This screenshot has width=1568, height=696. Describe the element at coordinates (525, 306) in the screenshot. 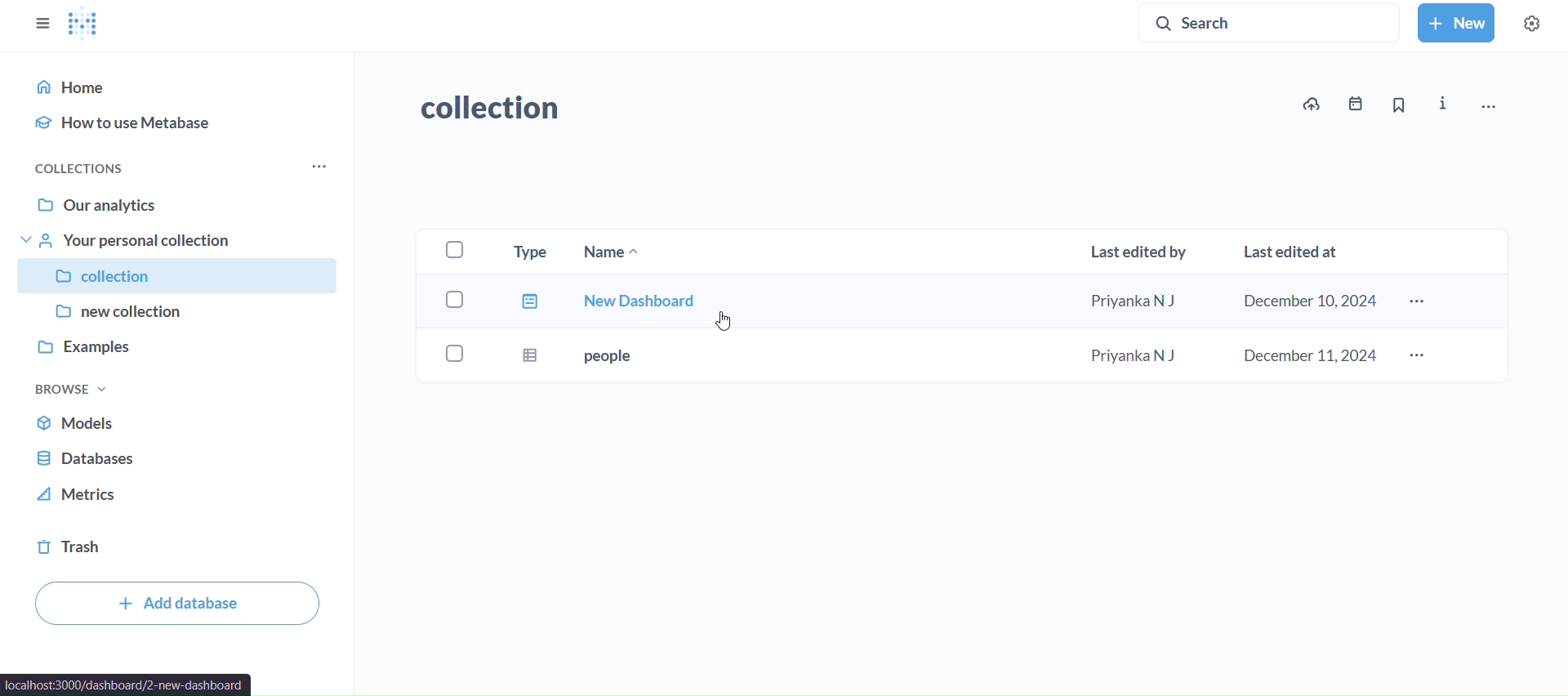

I see `type` at that location.